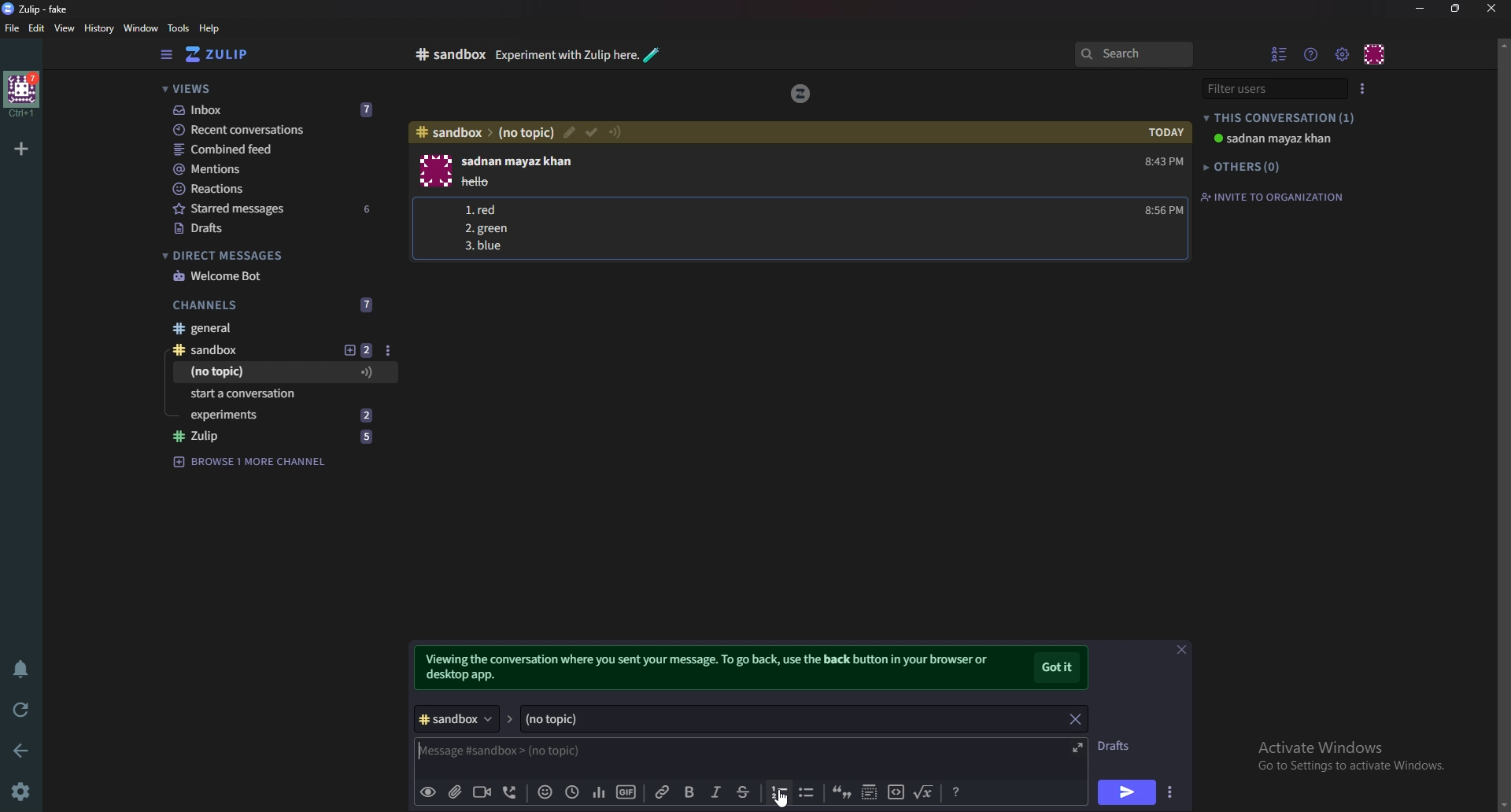 This screenshot has width=1511, height=812. What do you see at coordinates (285, 414) in the screenshot?
I see `` at bounding box center [285, 414].